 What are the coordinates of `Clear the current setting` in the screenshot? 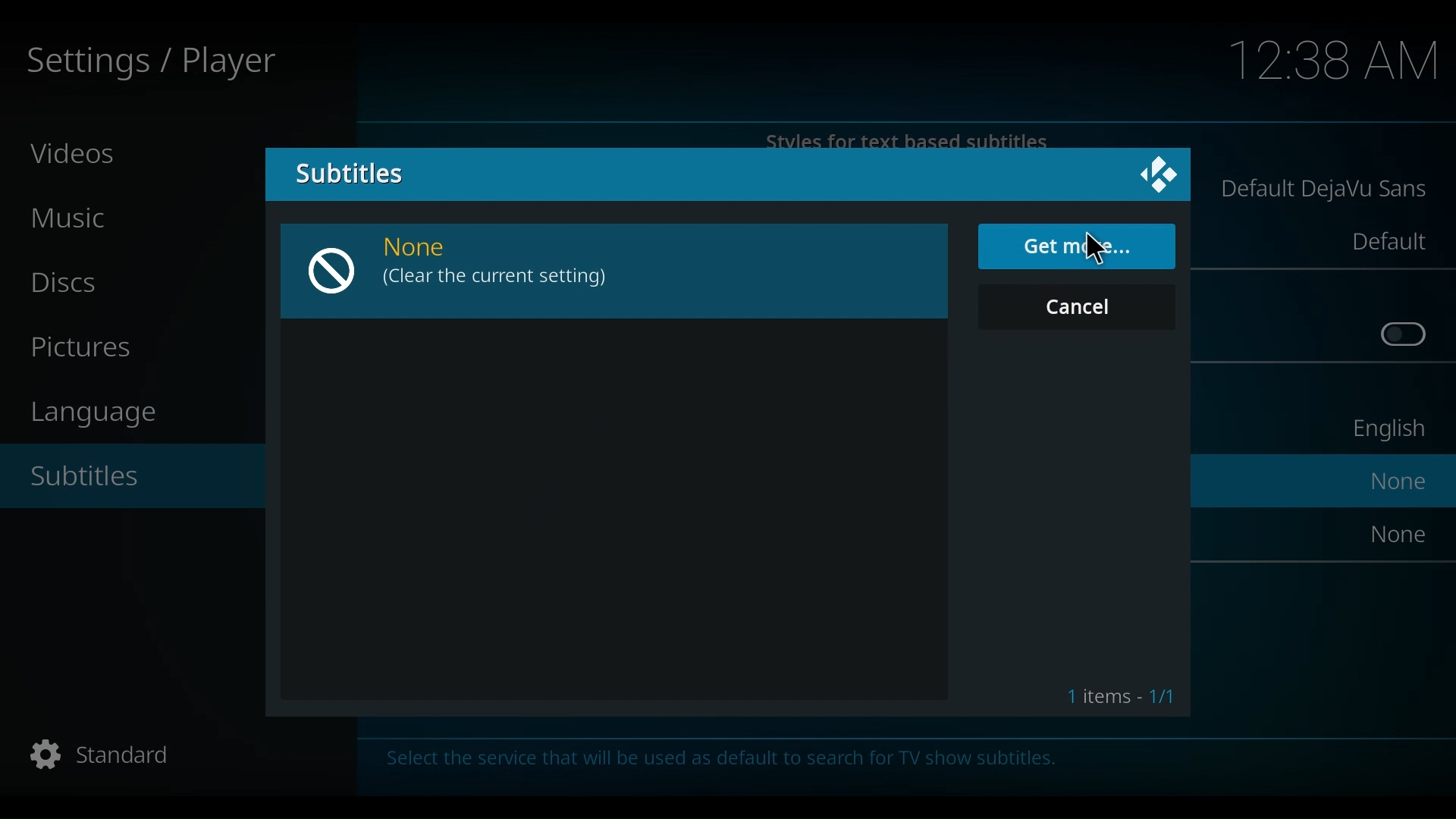 It's located at (497, 279).